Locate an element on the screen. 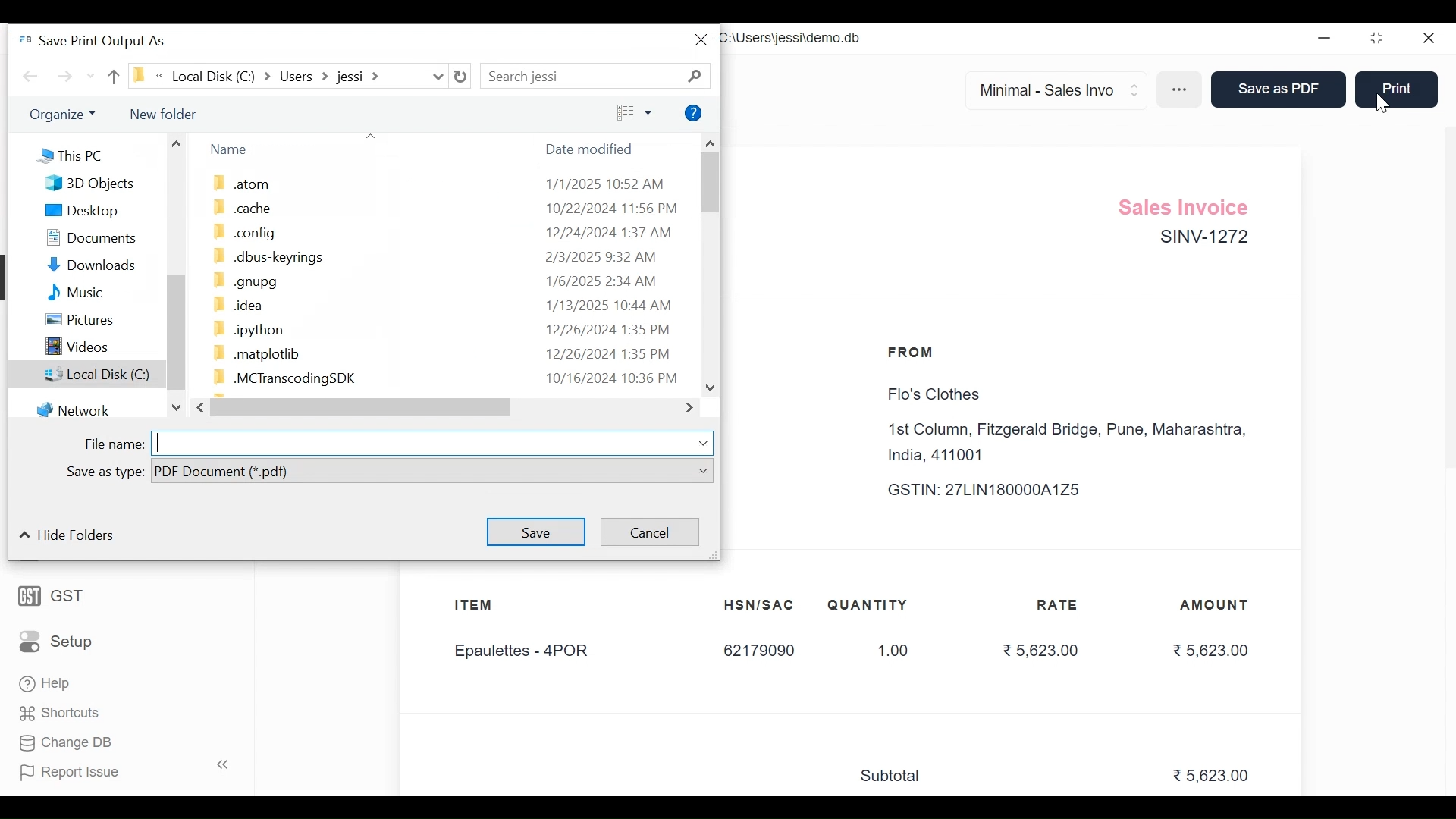  Vertical Scroll bar is located at coordinates (175, 331).